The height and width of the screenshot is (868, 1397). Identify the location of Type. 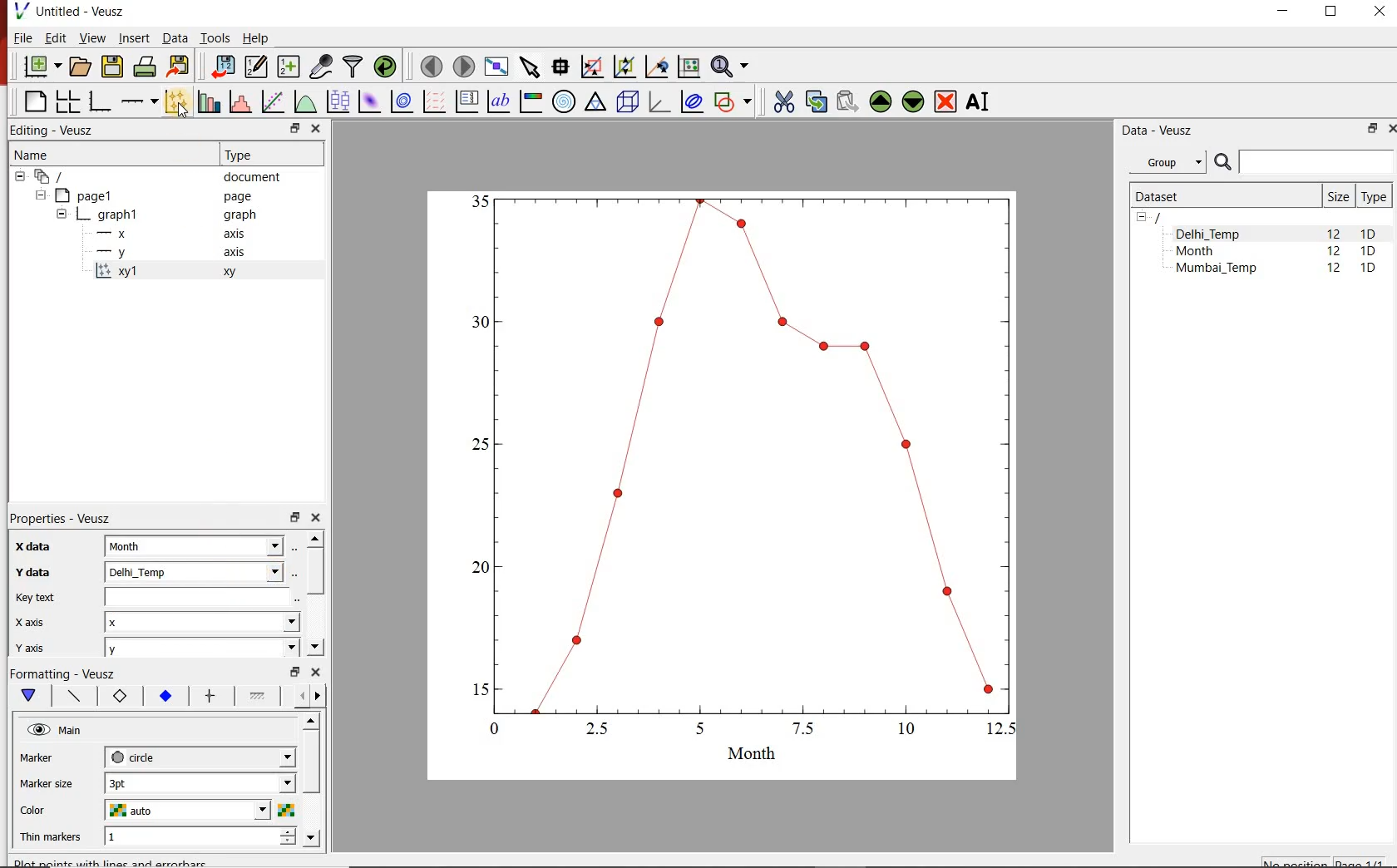
(1374, 196).